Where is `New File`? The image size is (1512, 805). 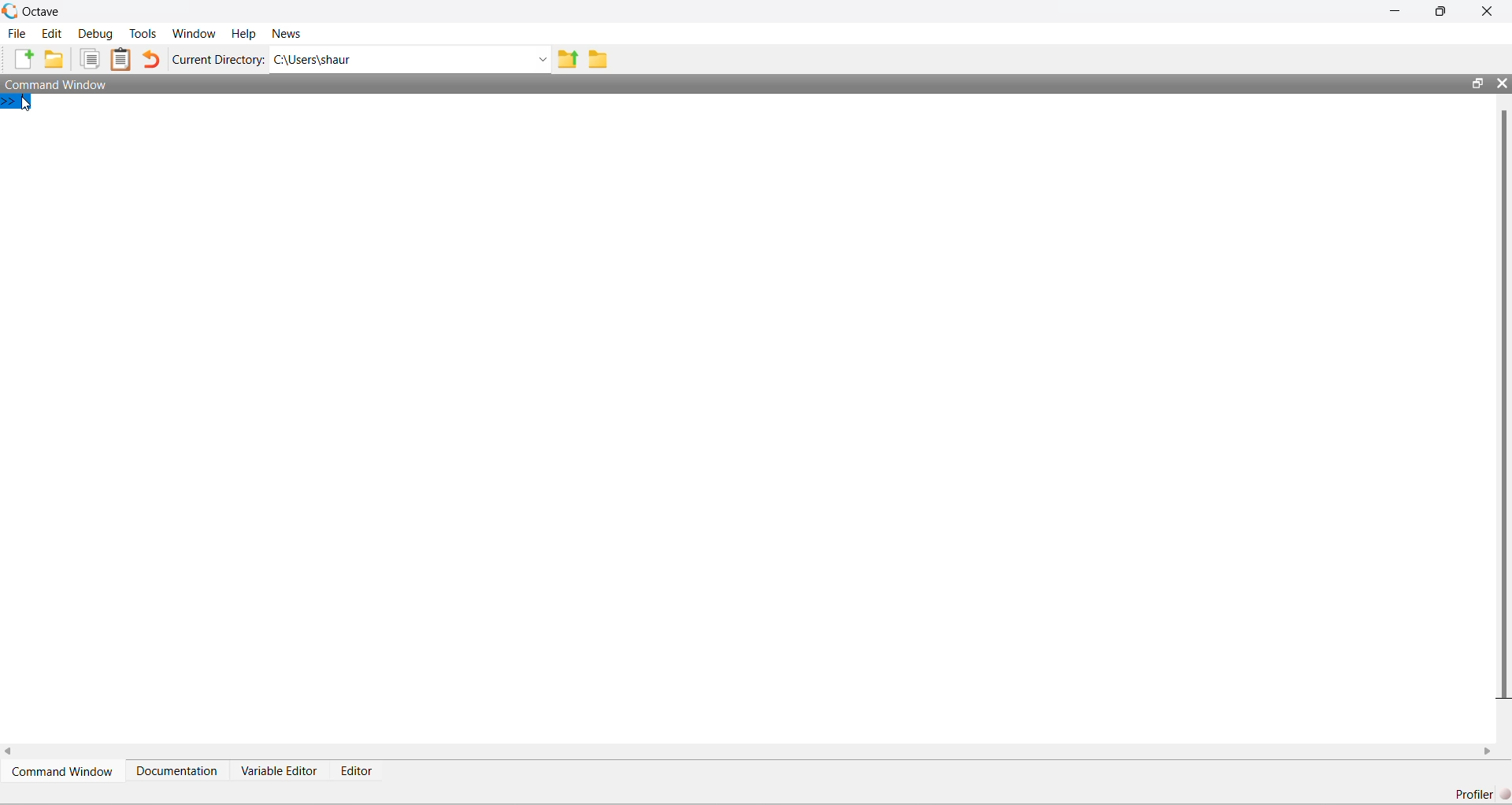
New File is located at coordinates (22, 59).